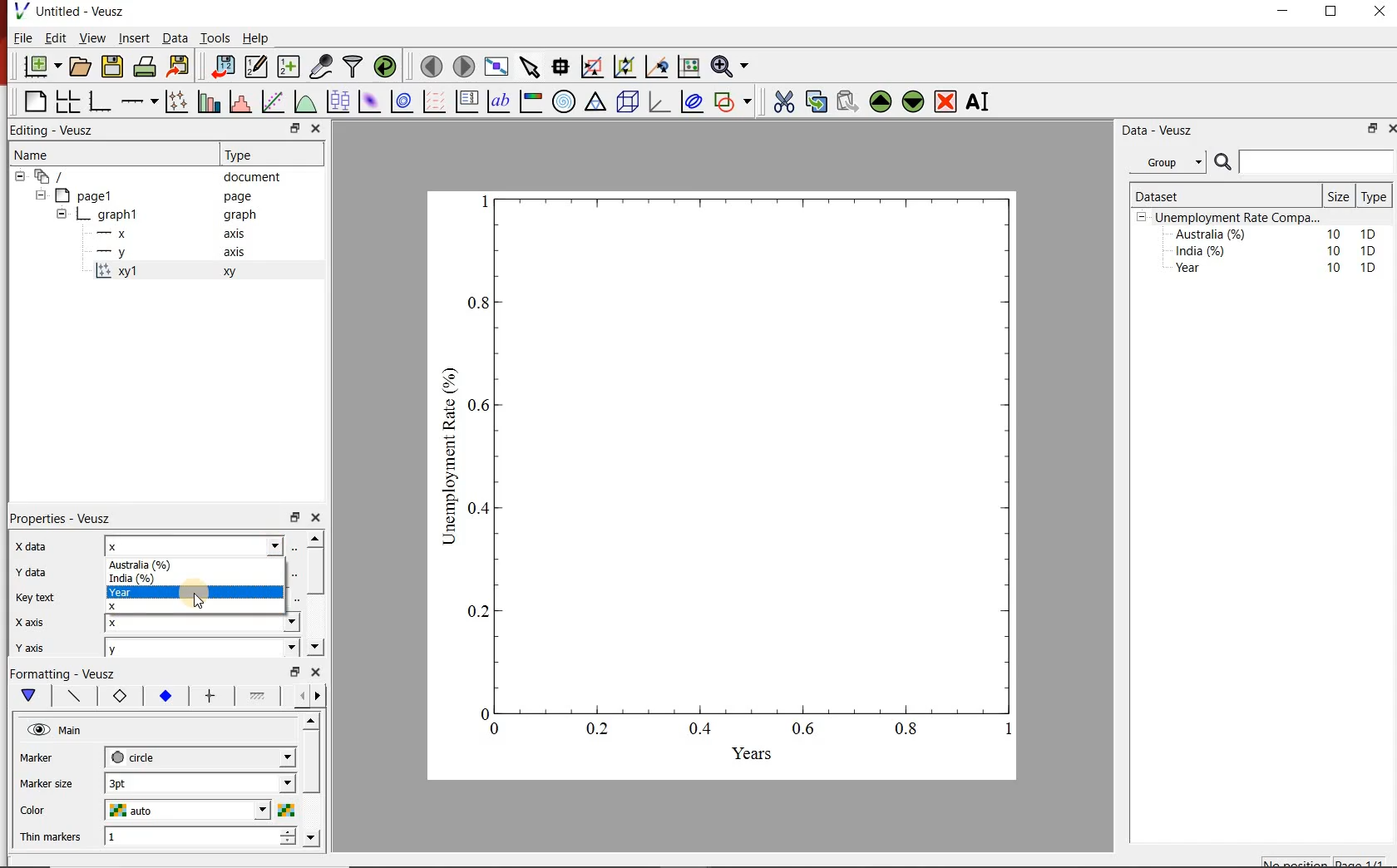 The height and width of the screenshot is (868, 1397). Describe the element at coordinates (225, 65) in the screenshot. I see `import document` at that location.